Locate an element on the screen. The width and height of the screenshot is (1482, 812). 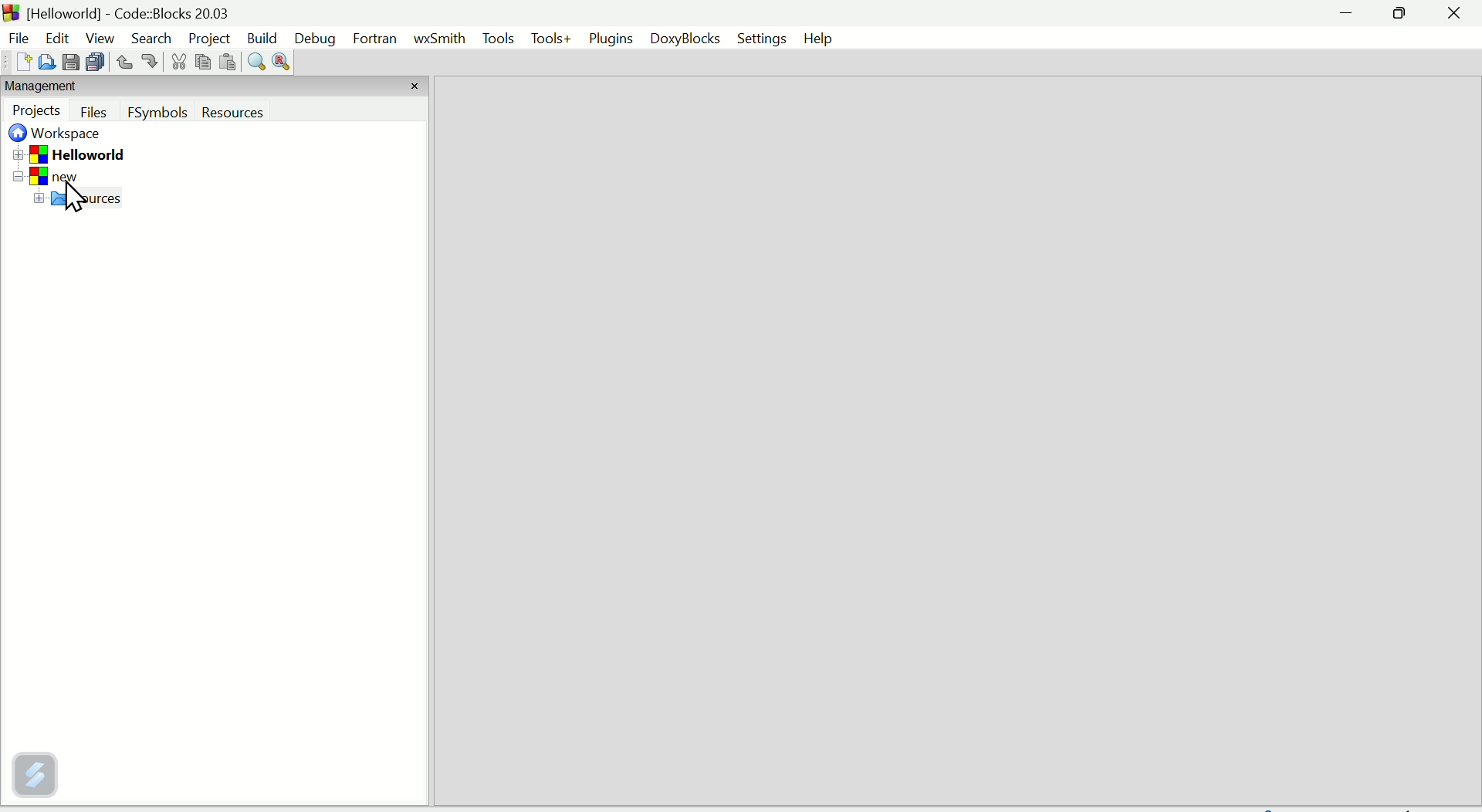
View is located at coordinates (97, 37).